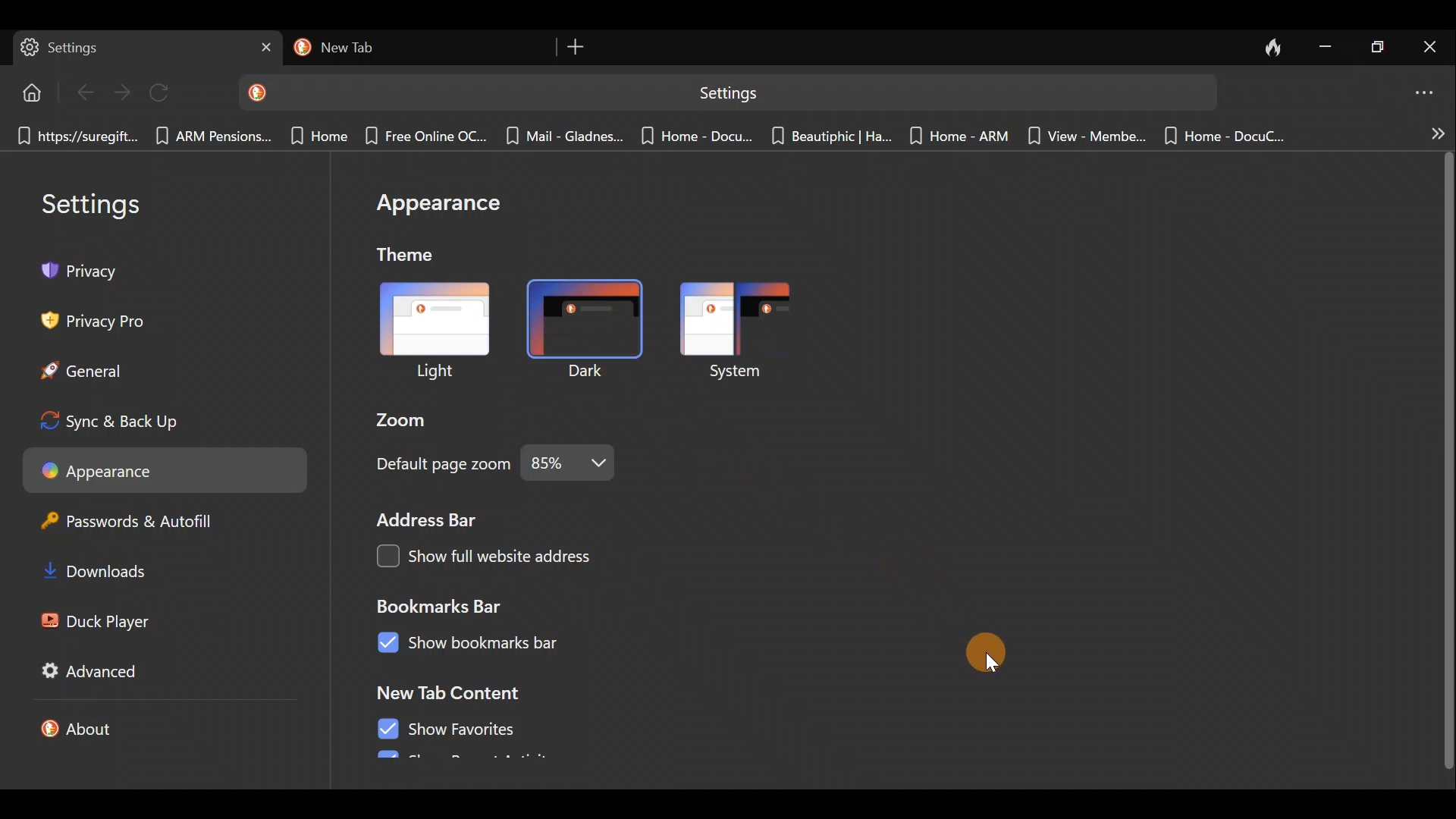  I want to click on Show full website address, so click(491, 554).